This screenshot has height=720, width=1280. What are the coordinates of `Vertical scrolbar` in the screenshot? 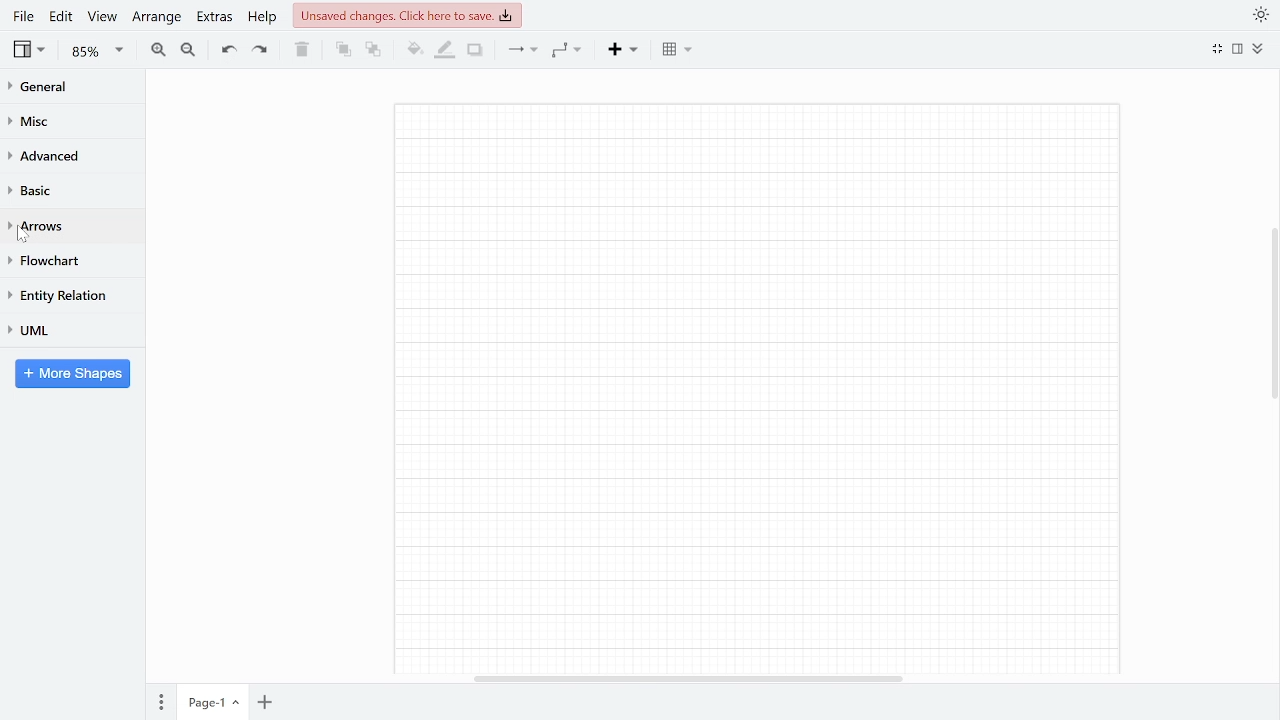 It's located at (1272, 320).